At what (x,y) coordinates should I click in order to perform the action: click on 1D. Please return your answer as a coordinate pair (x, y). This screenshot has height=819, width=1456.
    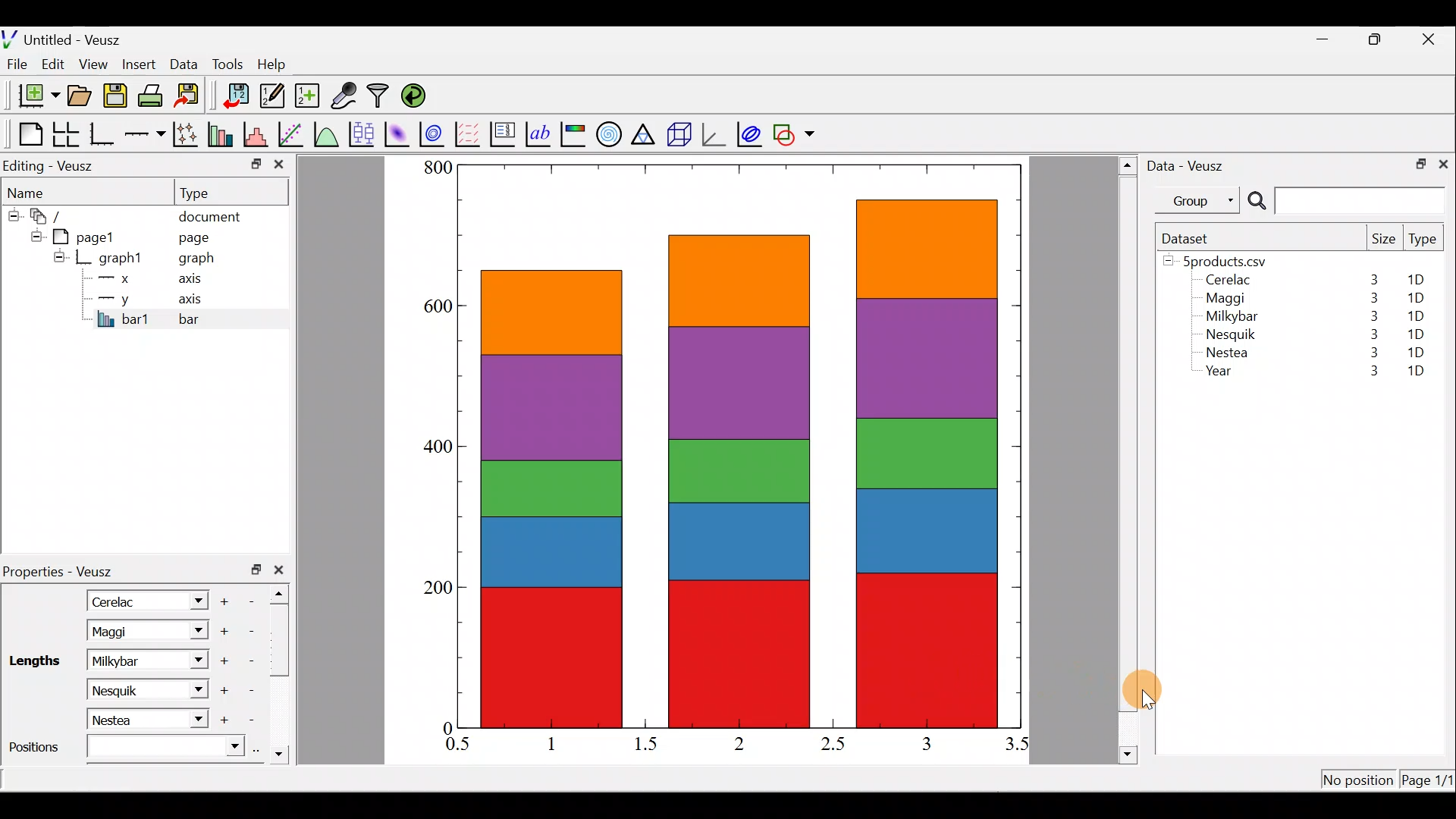
    Looking at the image, I should click on (1418, 331).